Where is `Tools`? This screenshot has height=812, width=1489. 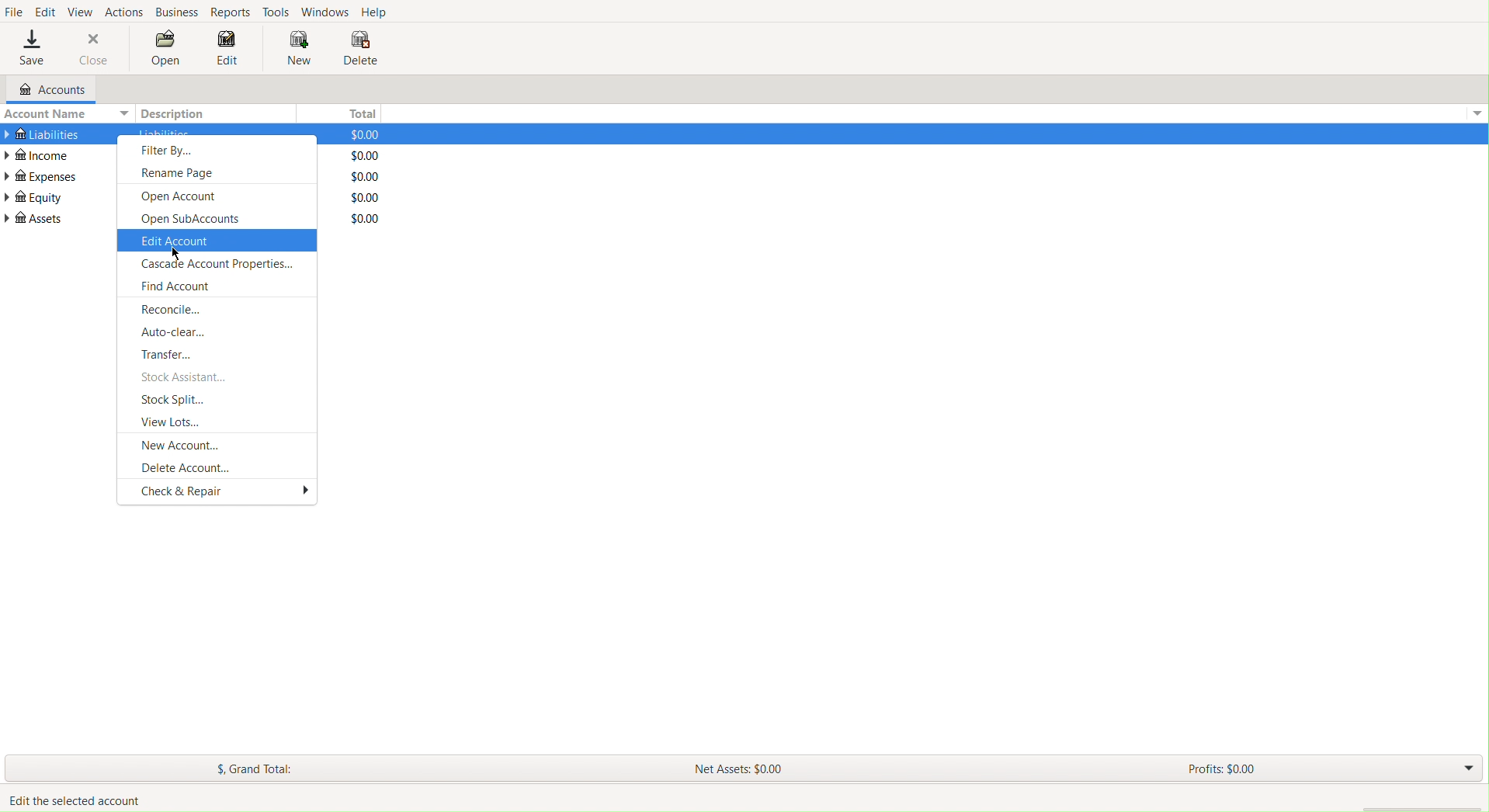 Tools is located at coordinates (277, 11).